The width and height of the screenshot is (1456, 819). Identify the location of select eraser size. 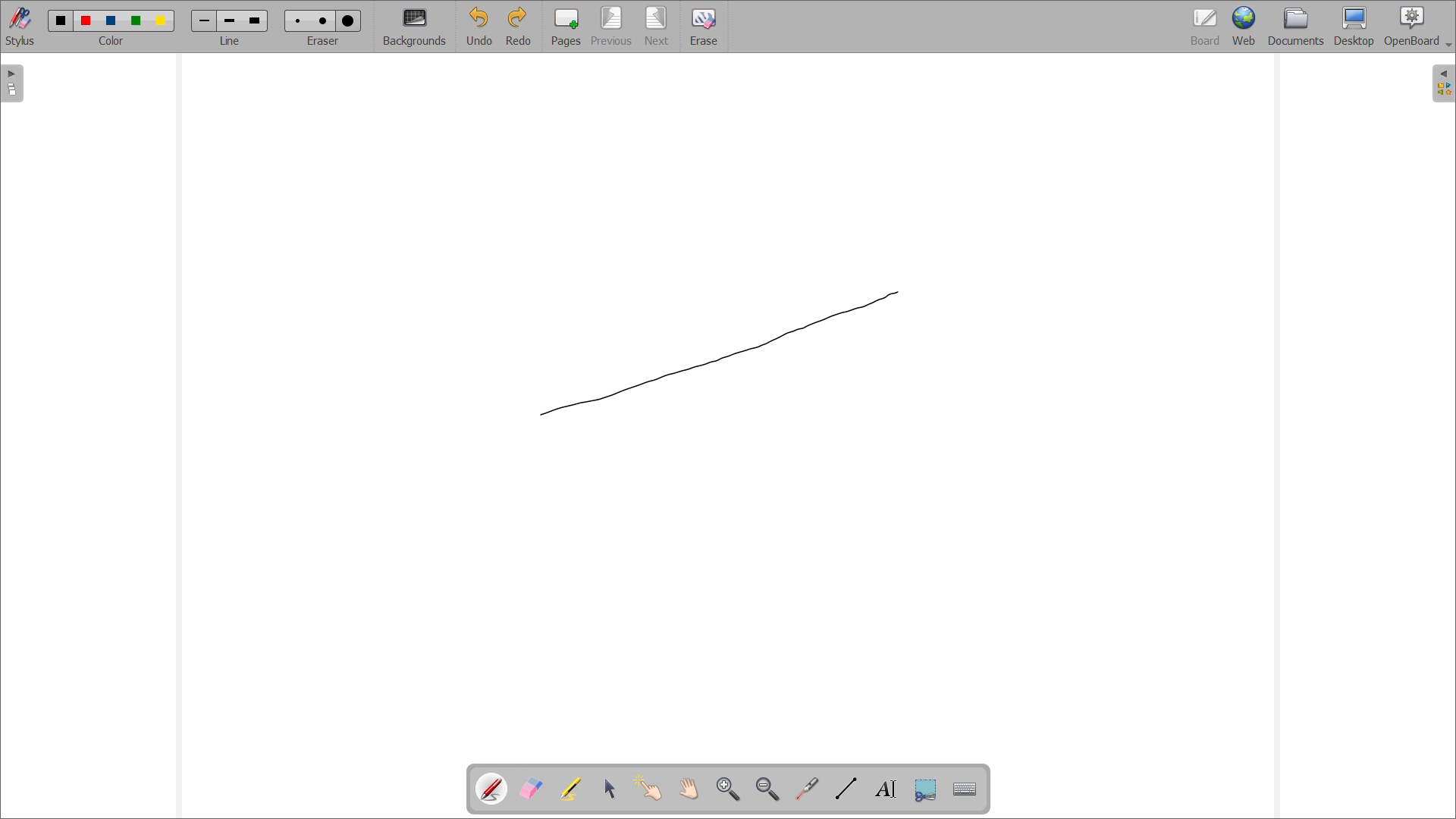
(324, 41).